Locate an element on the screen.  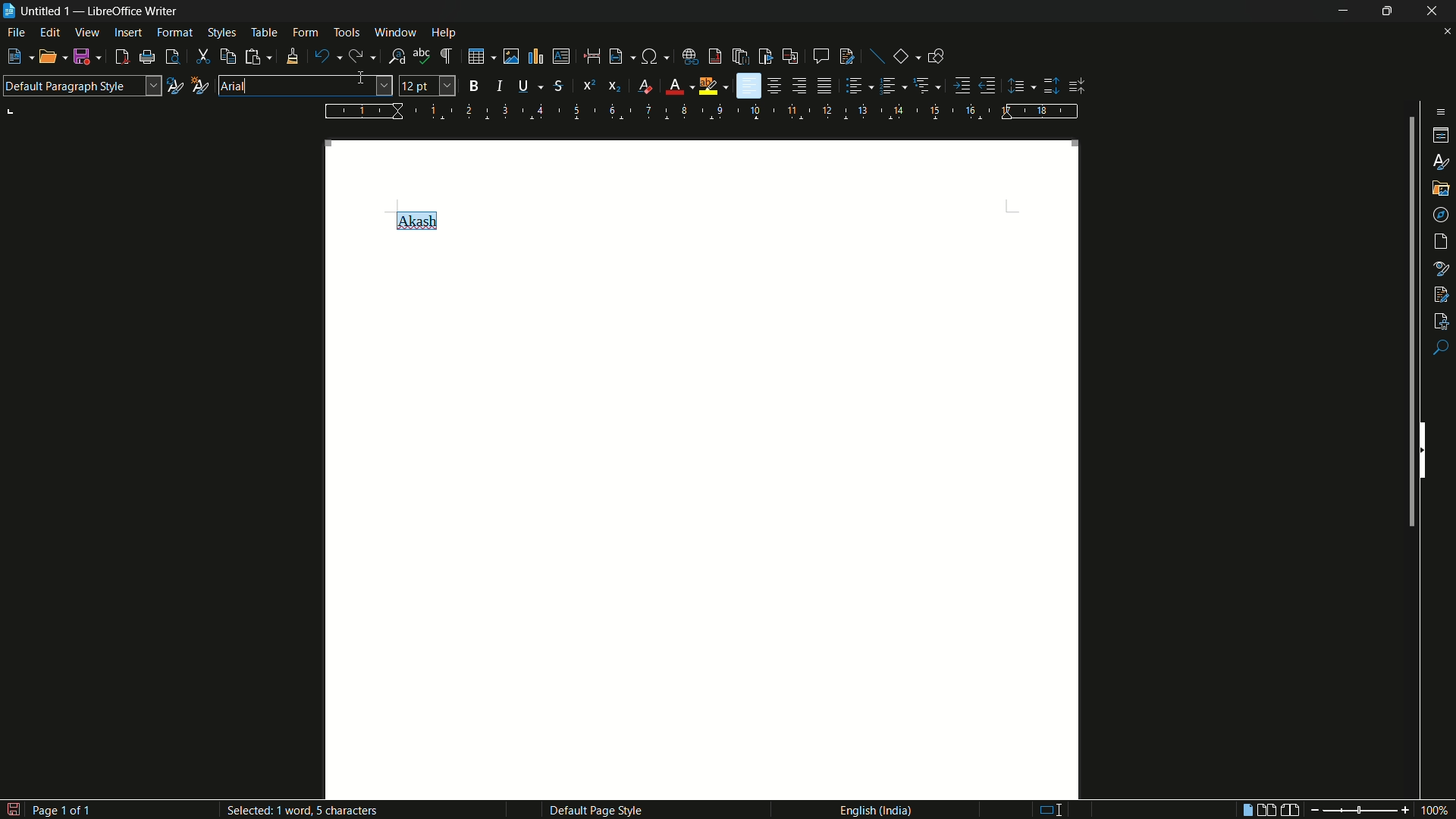
insert hyperlink is located at coordinates (692, 57).